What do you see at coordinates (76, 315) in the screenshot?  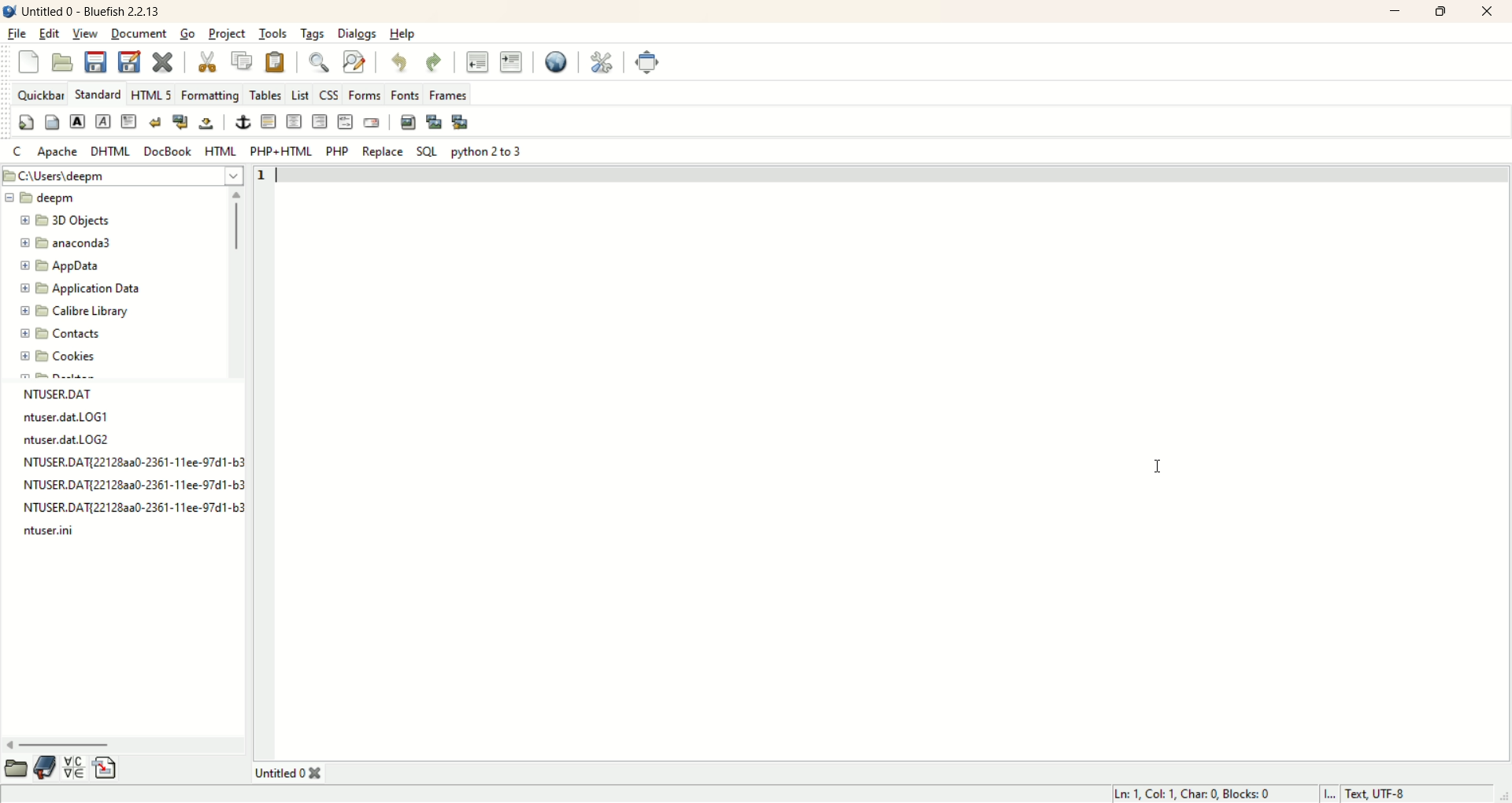 I see `calibre ` at bounding box center [76, 315].